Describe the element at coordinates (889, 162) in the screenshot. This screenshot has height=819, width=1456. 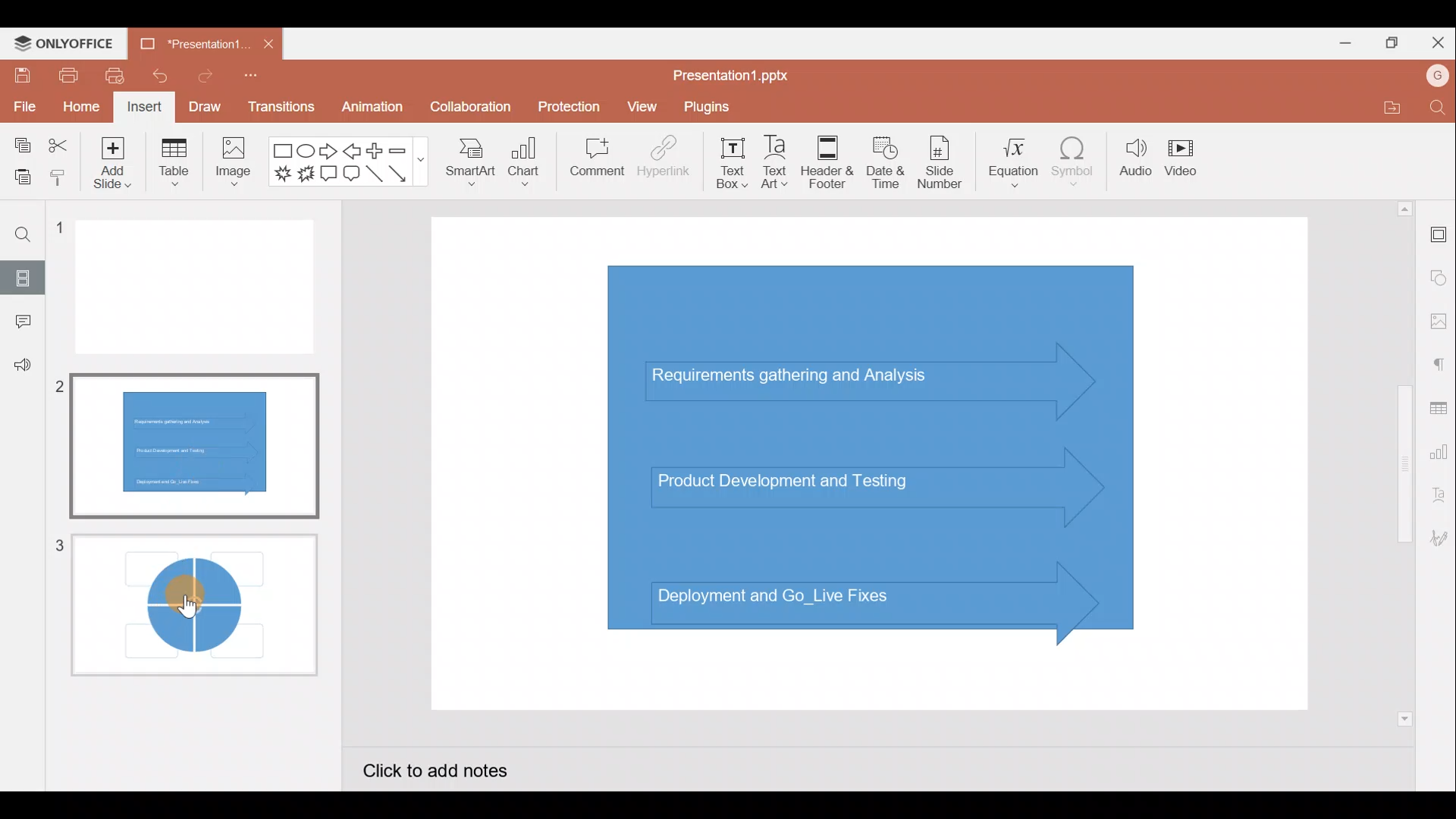
I see `Date & time` at that location.